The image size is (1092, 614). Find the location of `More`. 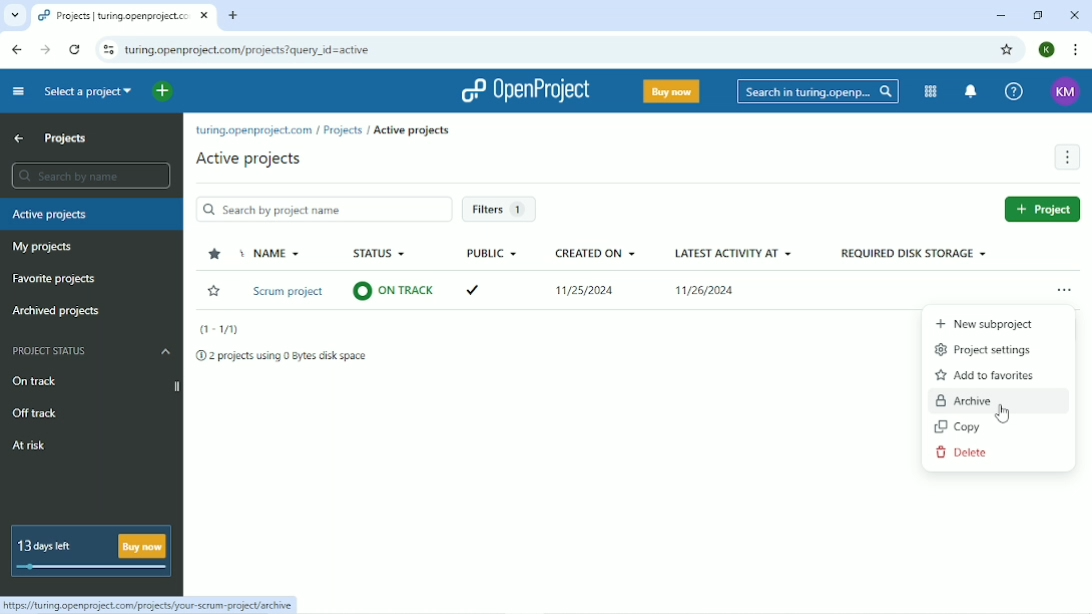

More is located at coordinates (1066, 157).